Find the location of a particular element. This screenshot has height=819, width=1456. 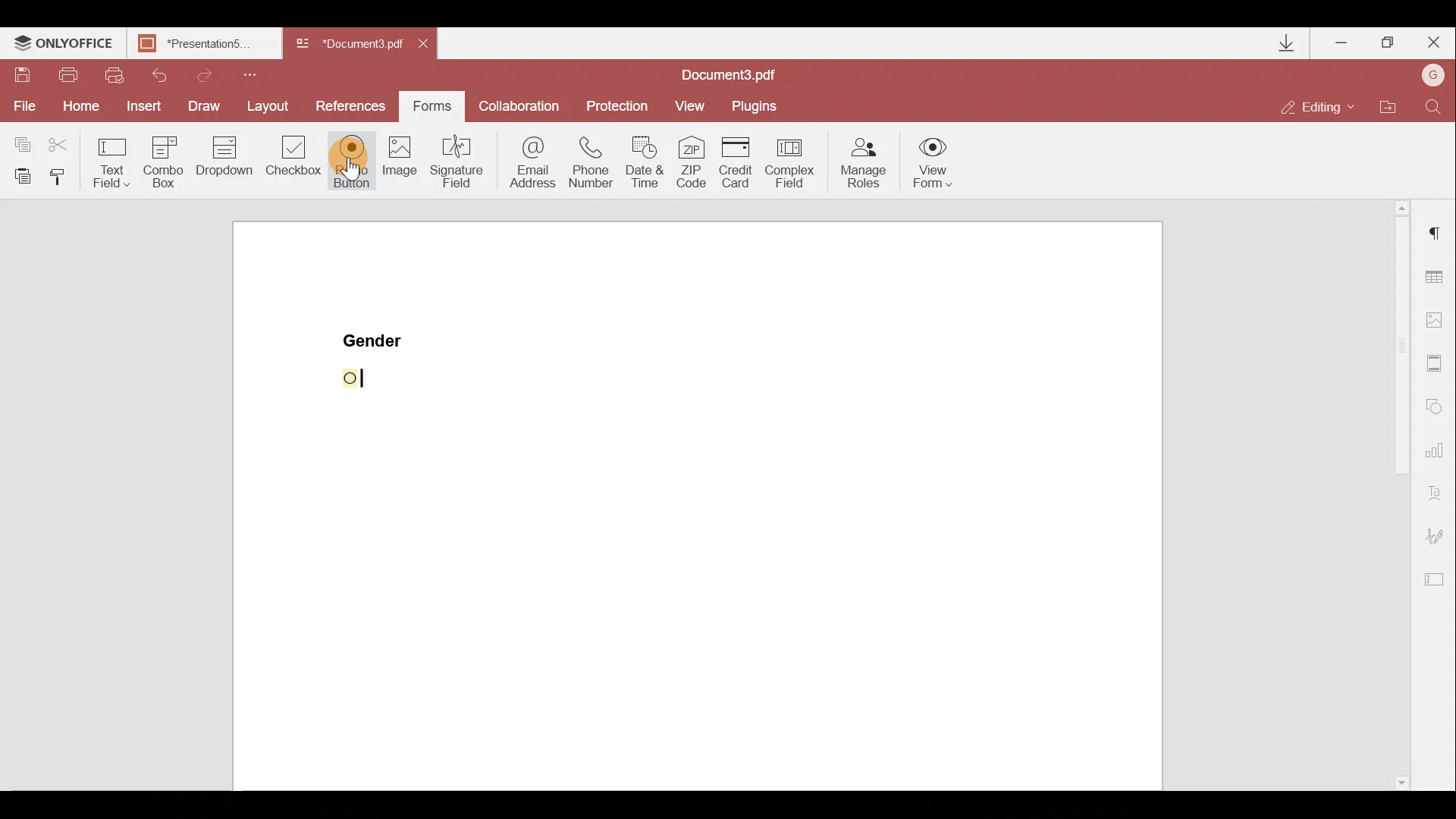

Headers & footers settings is located at coordinates (1436, 366).